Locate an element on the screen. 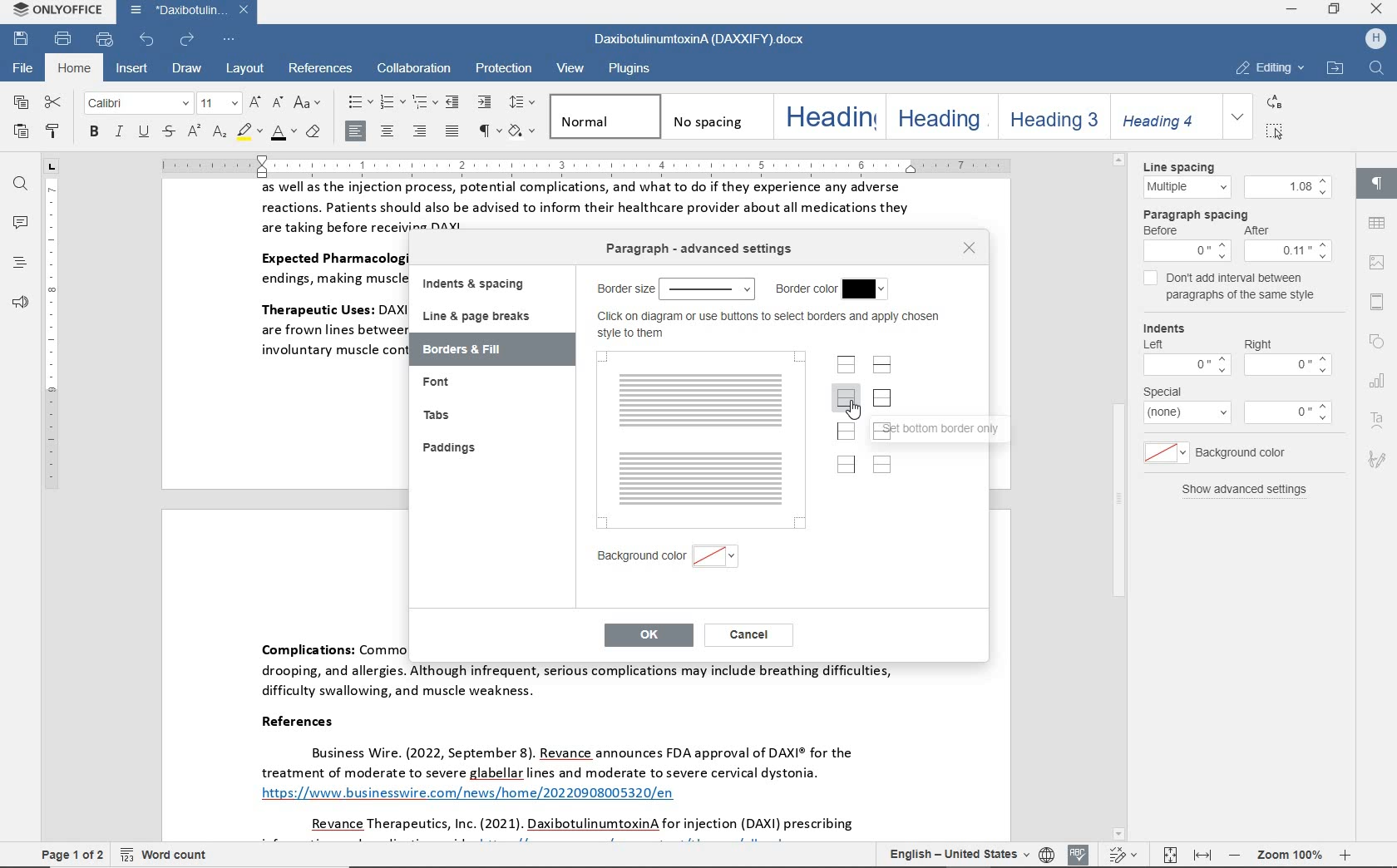 This screenshot has height=868, width=1397. set bottom border only is located at coordinates (845, 397).